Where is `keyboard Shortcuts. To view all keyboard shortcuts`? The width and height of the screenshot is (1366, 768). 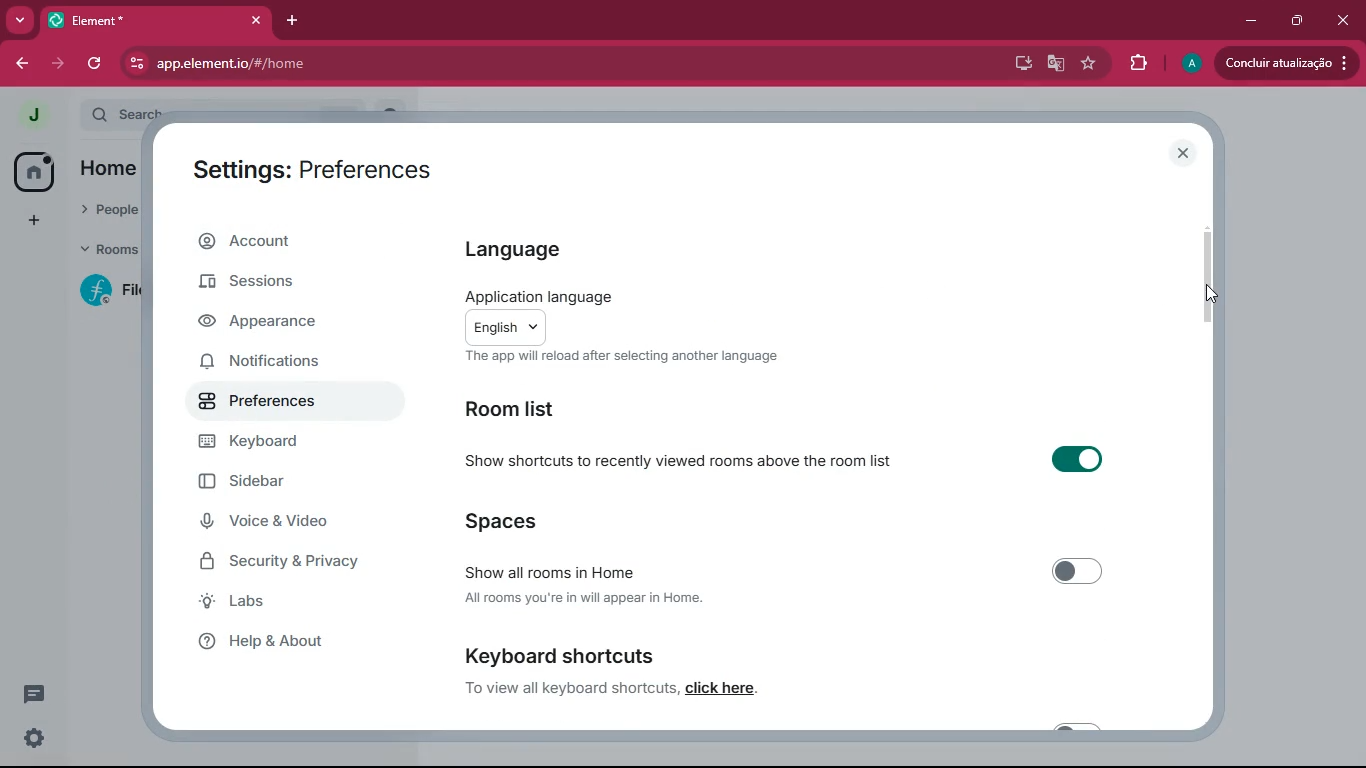 keyboard Shortcuts. To view all keyboard shortcuts is located at coordinates (567, 670).